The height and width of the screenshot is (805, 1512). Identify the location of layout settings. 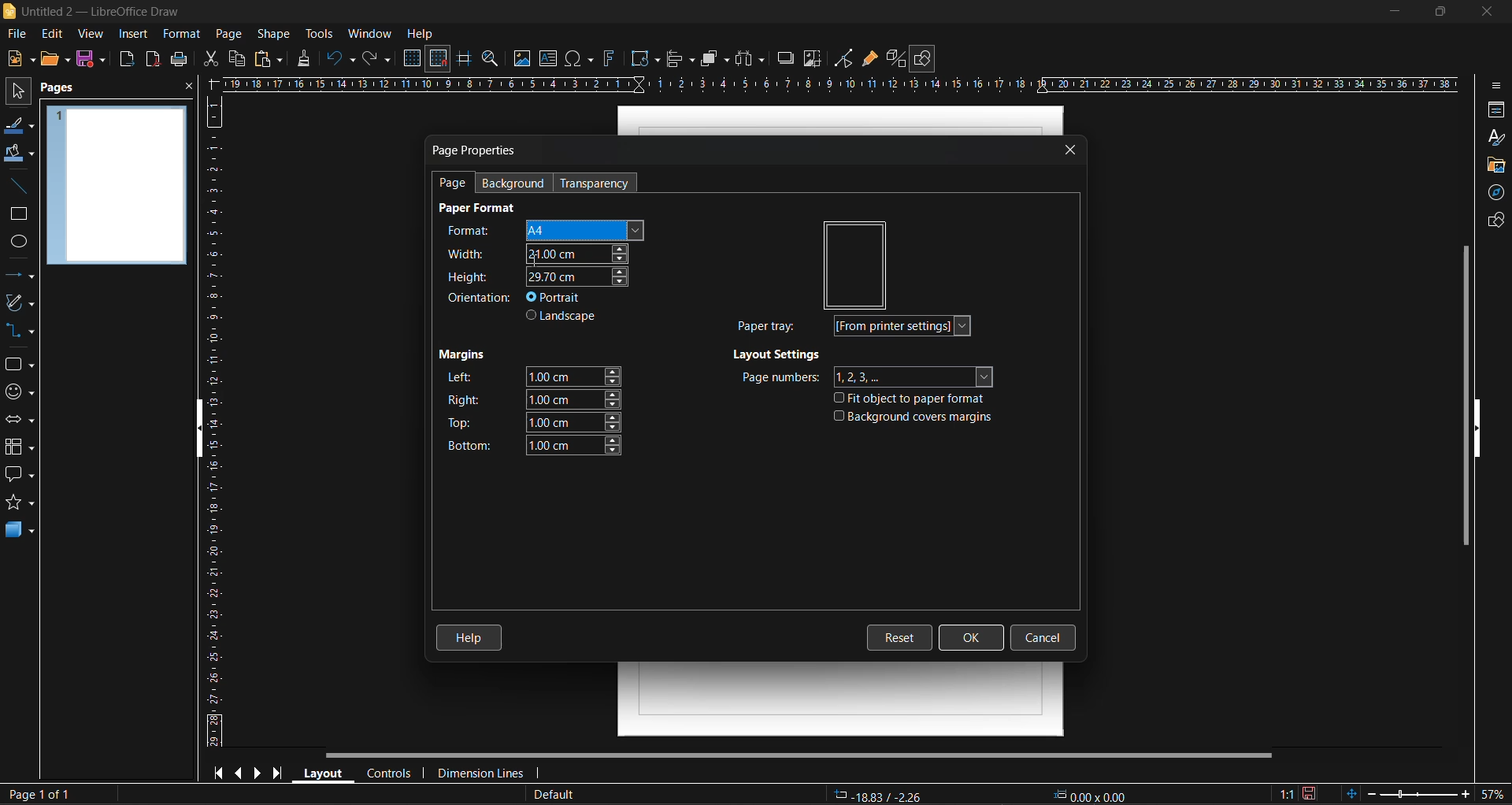
(780, 357).